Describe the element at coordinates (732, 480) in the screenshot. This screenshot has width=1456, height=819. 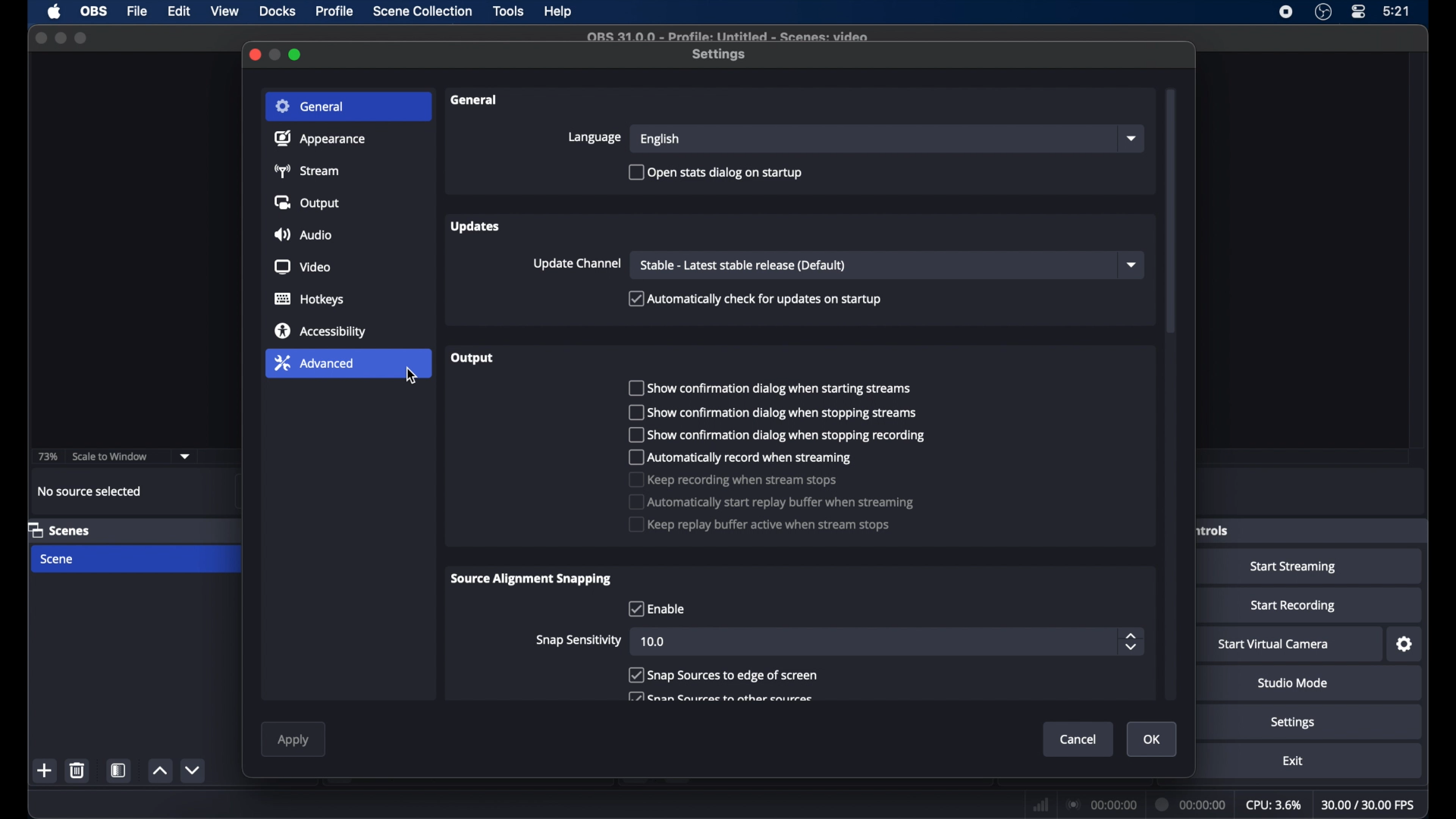
I see `keep recording when stream stops` at that location.